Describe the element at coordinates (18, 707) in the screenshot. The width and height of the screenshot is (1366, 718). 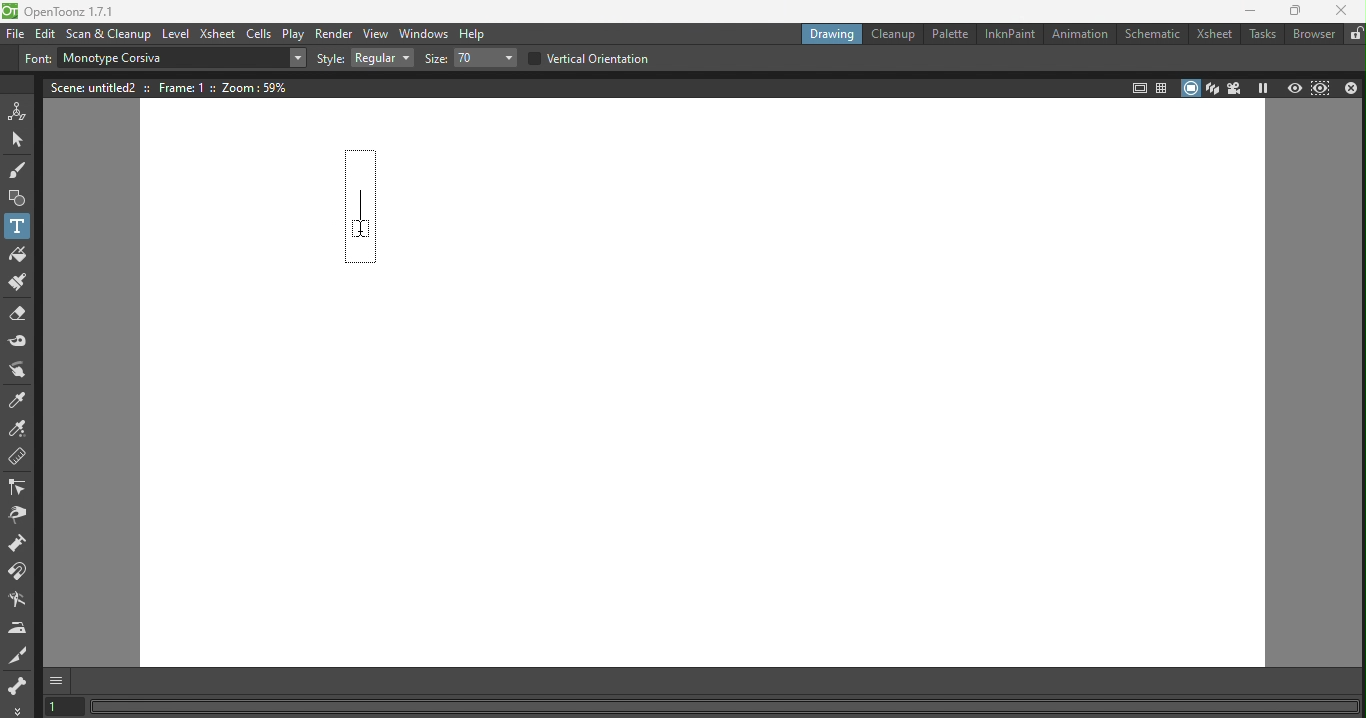
I see `More options` at that location.